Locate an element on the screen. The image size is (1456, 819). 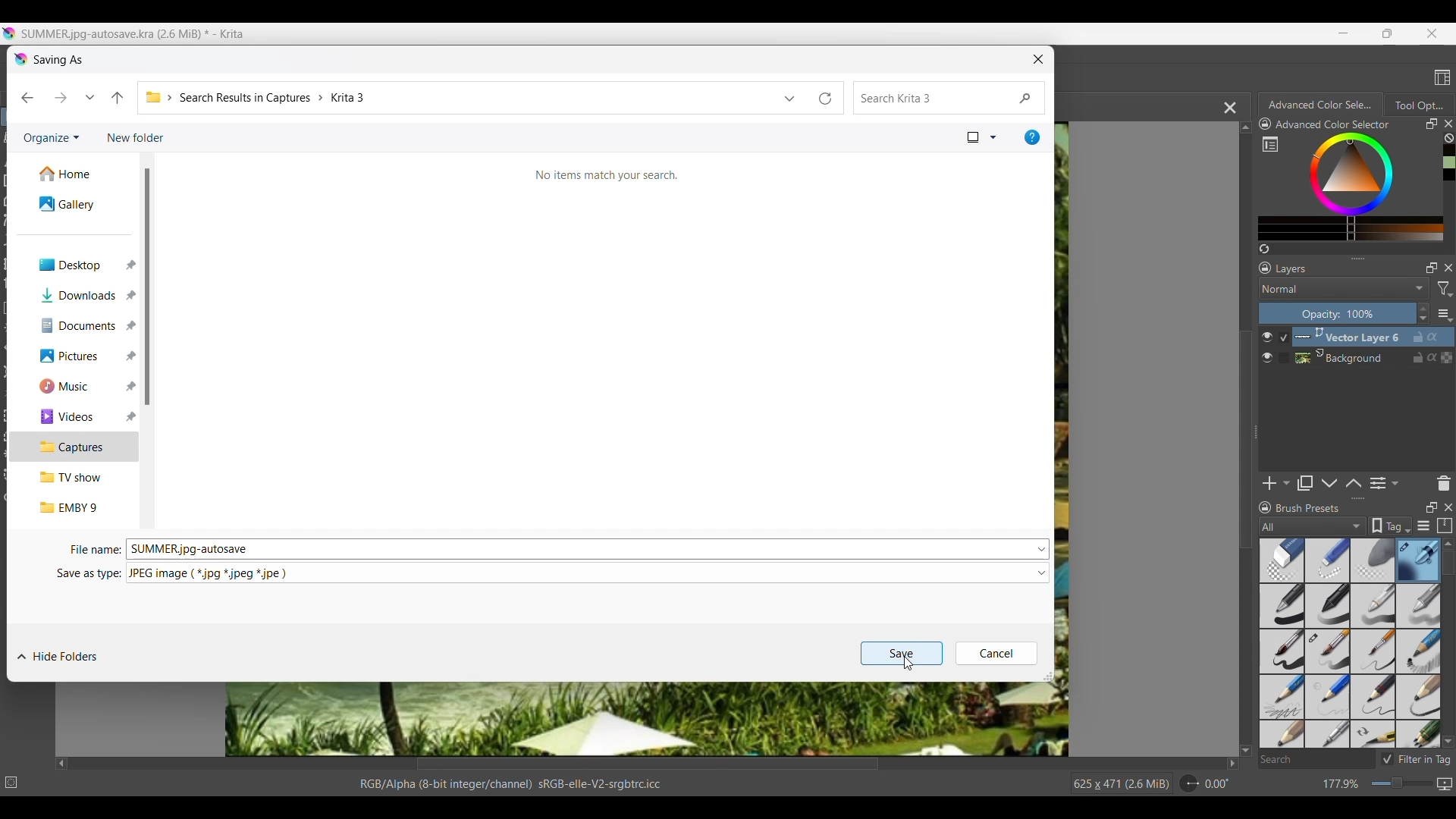
Float panel is located at coordinates (1431, 124).